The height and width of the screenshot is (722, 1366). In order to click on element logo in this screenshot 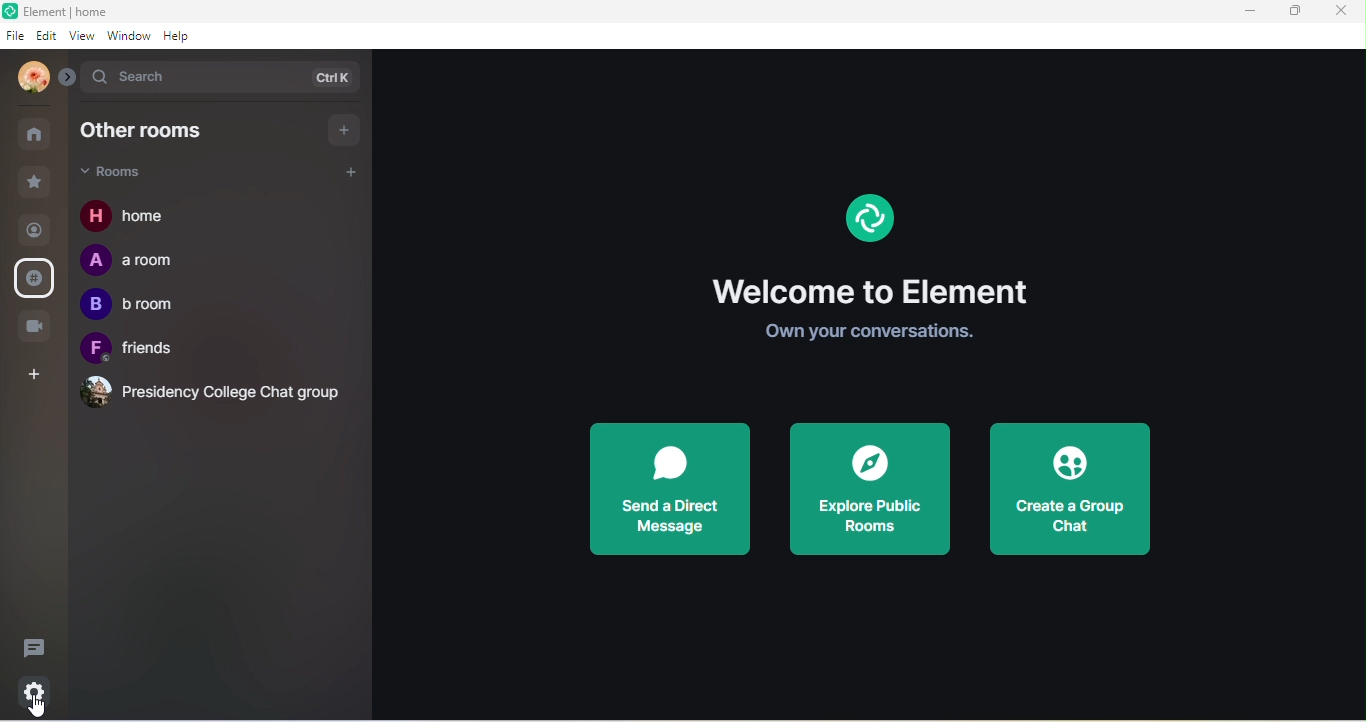, I will do `click(870, 224)`.